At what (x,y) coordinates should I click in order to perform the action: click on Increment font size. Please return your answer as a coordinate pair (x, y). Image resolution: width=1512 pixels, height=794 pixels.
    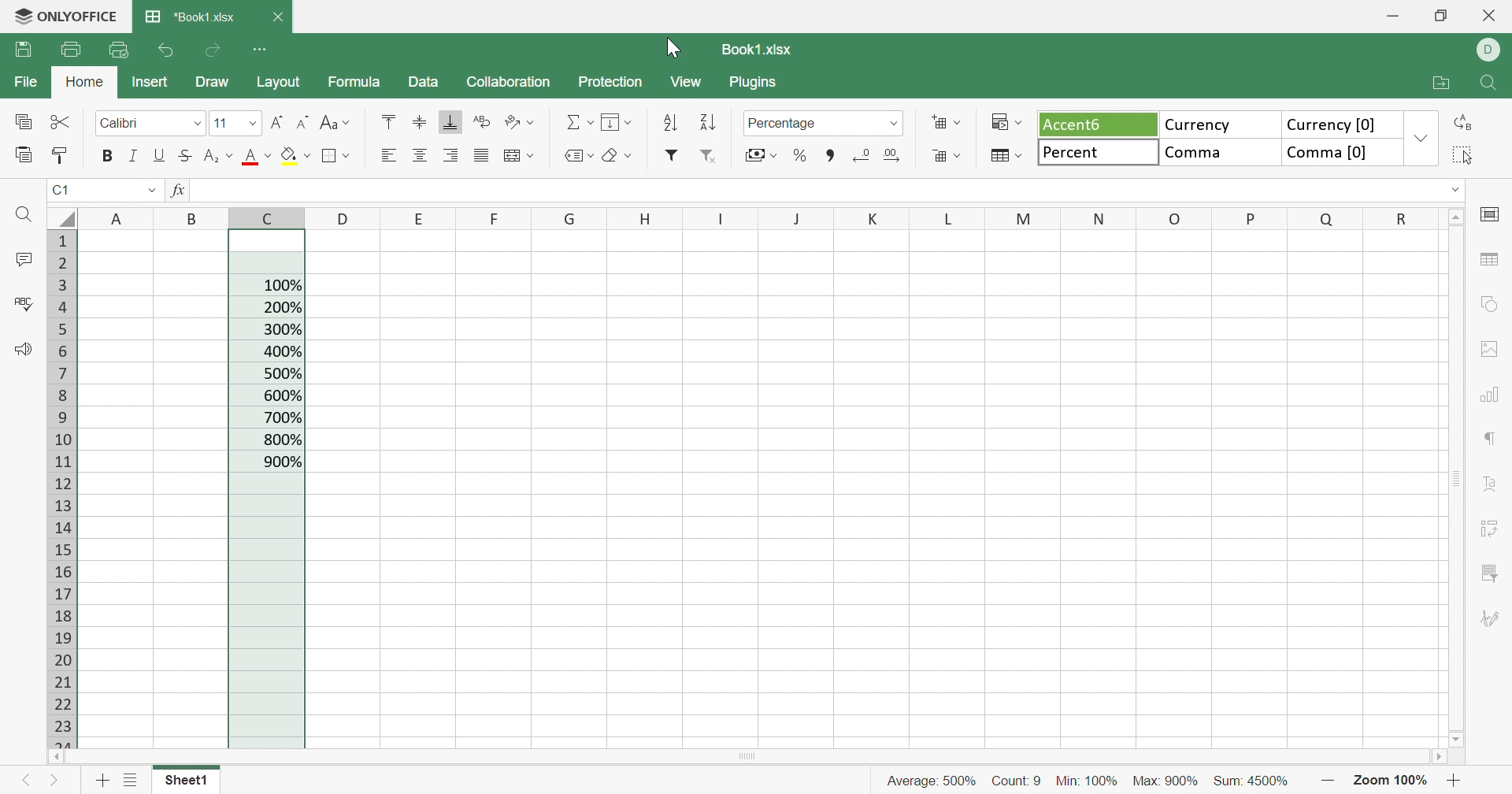
    Looking at the image, I should click on (302, 121).